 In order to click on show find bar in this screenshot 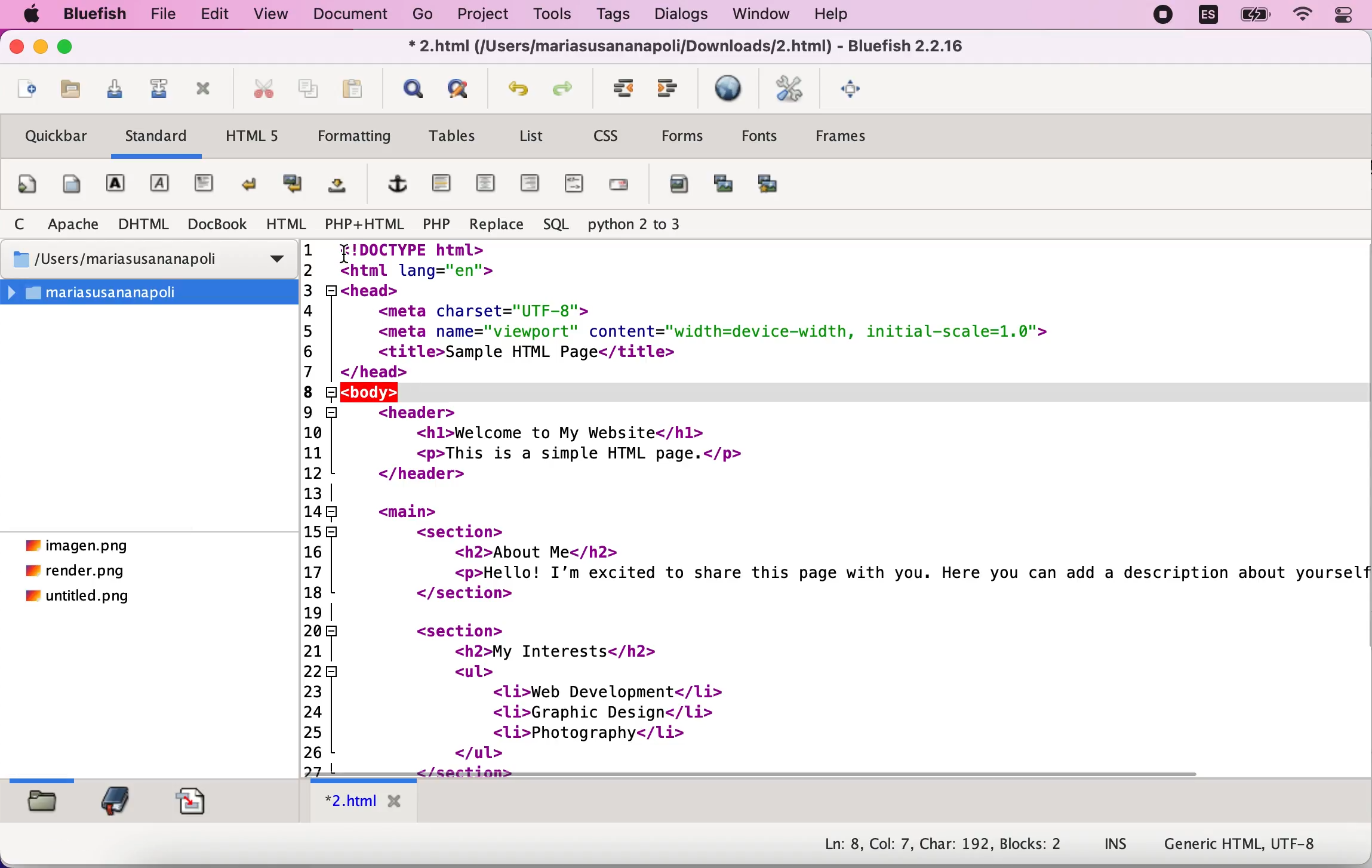, I will do `click(414, 90)`.